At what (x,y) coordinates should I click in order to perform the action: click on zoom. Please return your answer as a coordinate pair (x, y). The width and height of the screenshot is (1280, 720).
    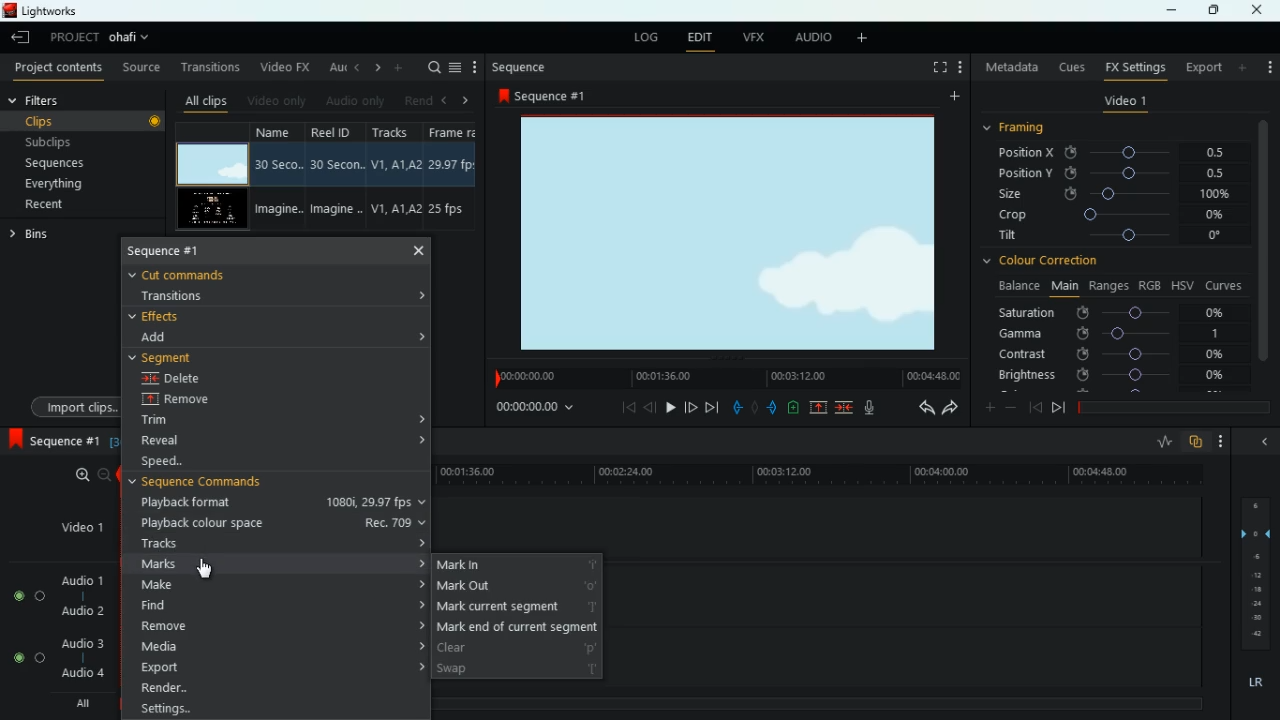
    Looking at the image, I should click on (87, 476).